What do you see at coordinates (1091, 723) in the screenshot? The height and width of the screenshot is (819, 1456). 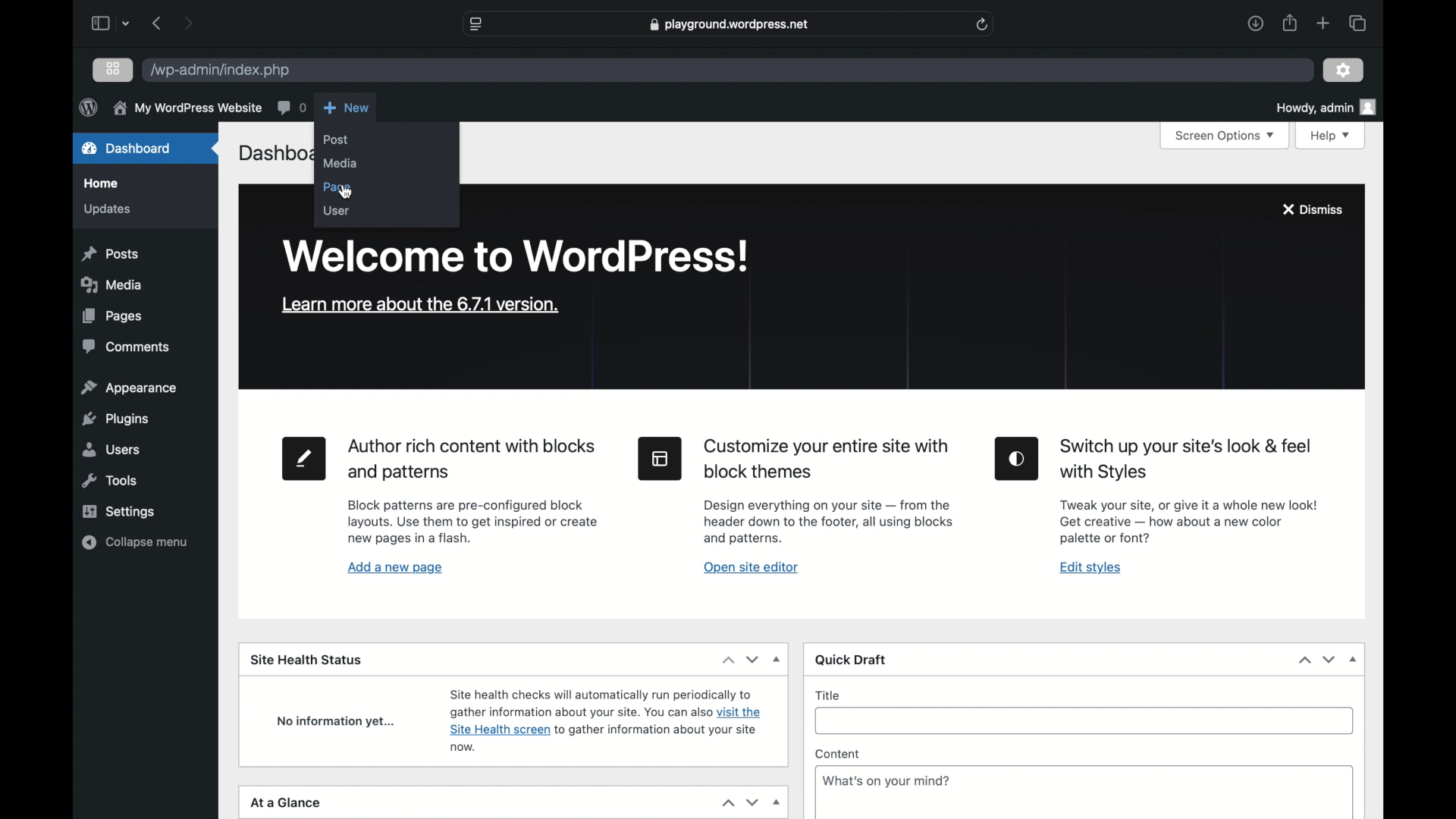 I see `title input` at bounding box center [1091, 723].